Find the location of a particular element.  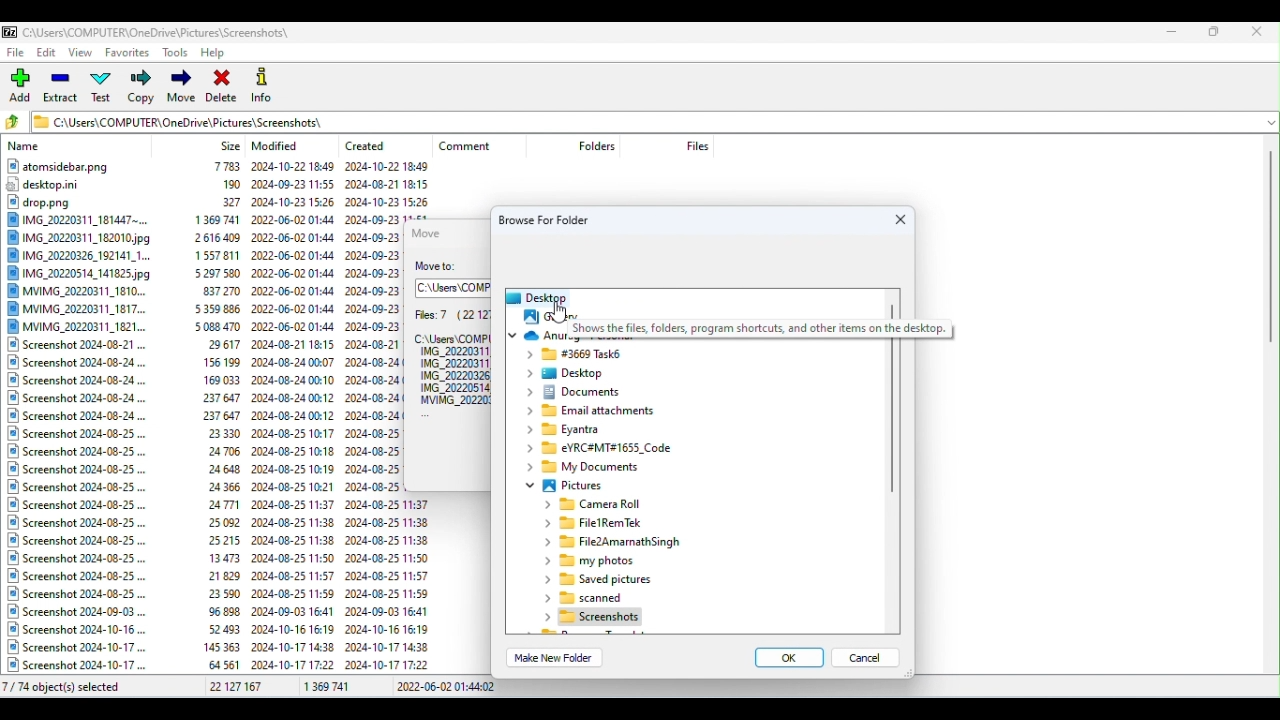

Move is located at coordinates (431, 232).